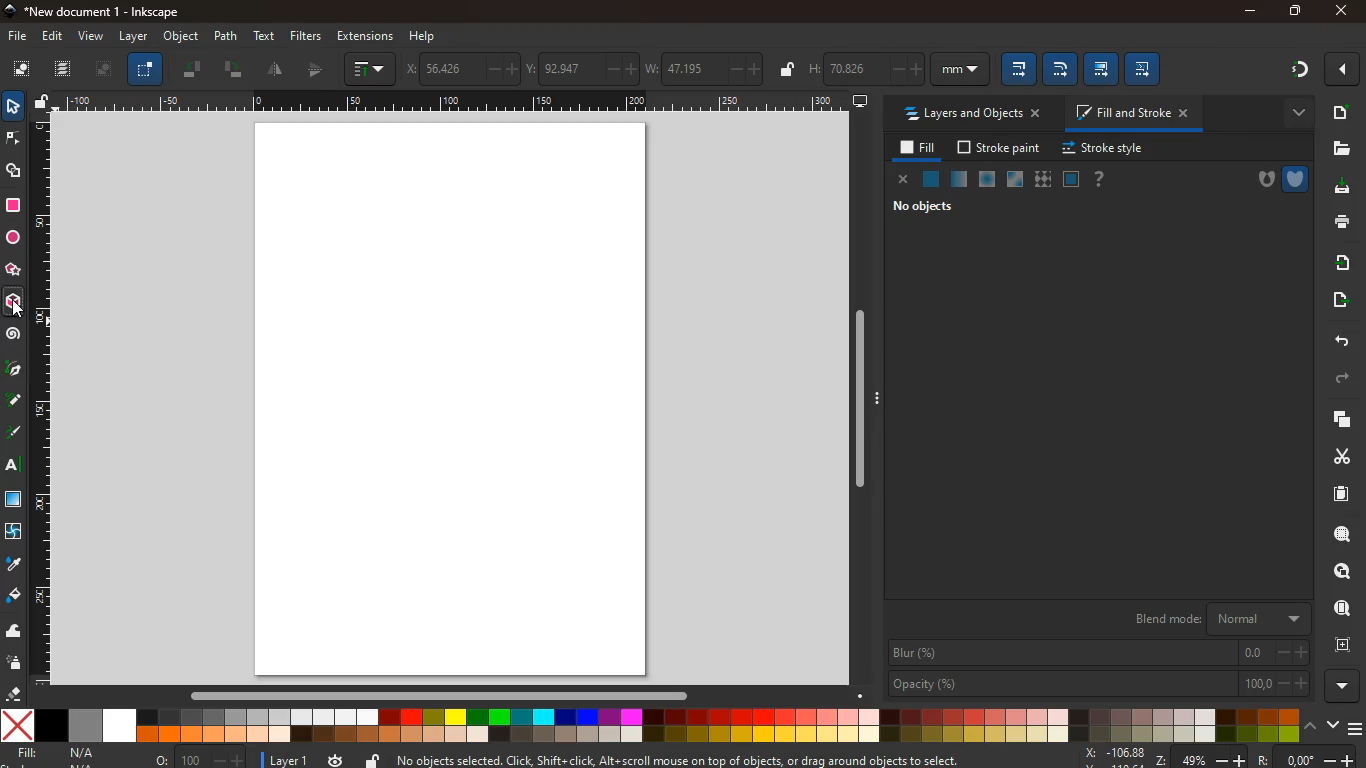 The height and width of the screenshot is (768, 1366). Describe the element at coordinates (1295, 178) in the screenshot. I see `armour` at that location.